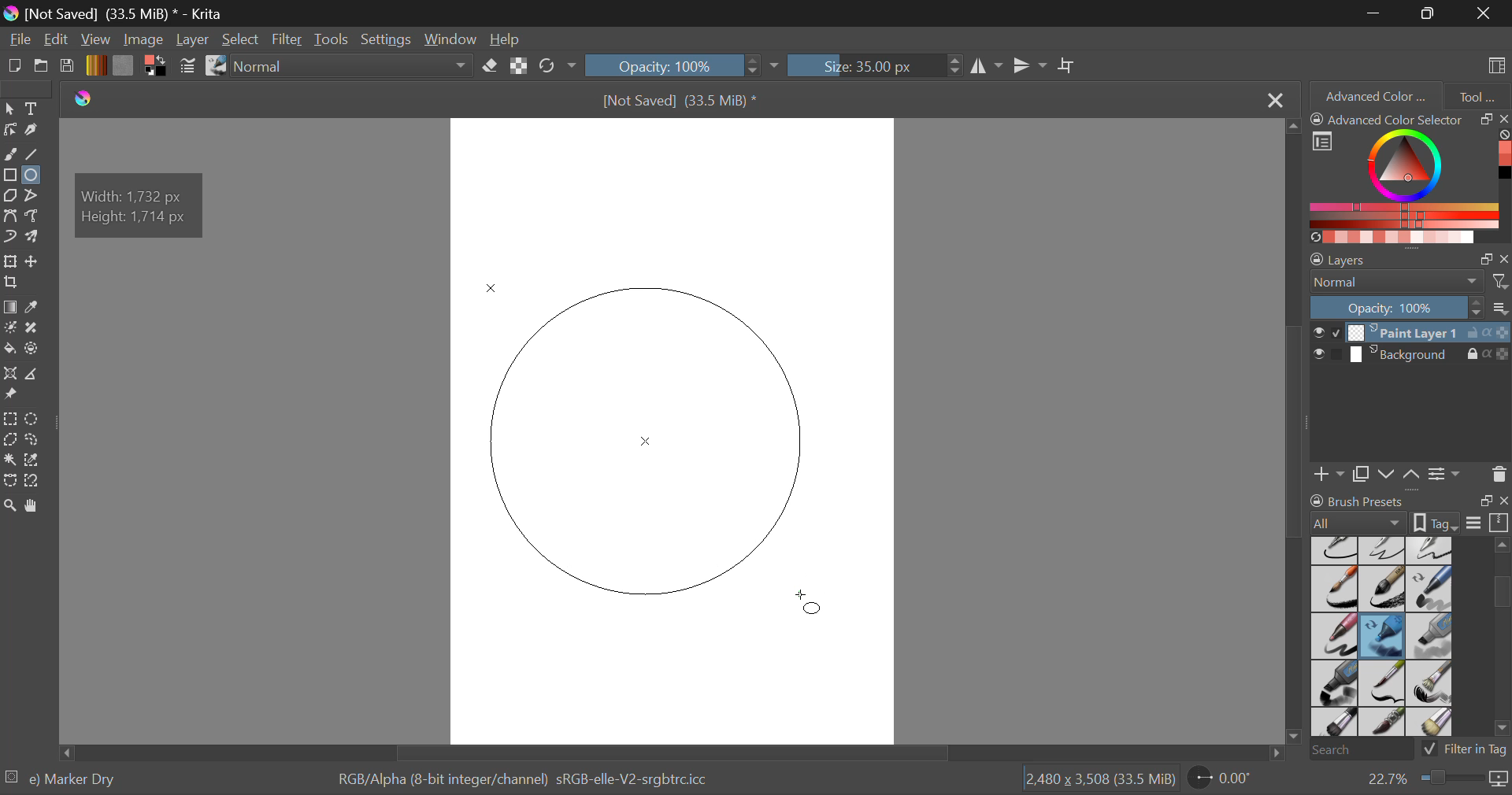 The width and height of the screenshot is (1512, 795). What do you see at coordinates (32, 419) in the screenshot?
I see `Elliptical Selection Tool` at bounding box center [32, 419].